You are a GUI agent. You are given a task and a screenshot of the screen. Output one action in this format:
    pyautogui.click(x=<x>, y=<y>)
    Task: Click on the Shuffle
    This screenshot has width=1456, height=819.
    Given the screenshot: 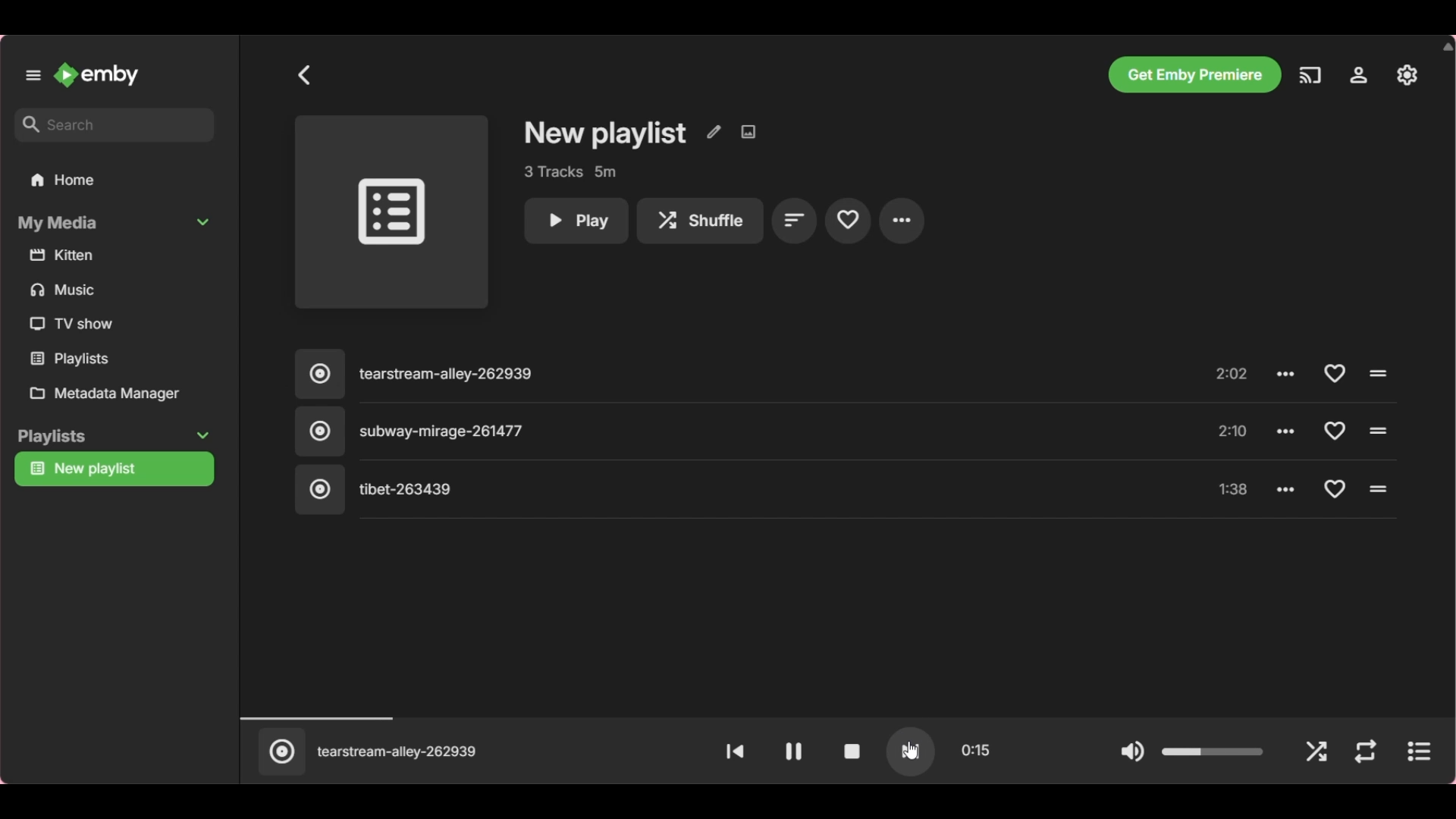 What is the action you would take?
    pyautogui.click(x=1315, y=752)
    